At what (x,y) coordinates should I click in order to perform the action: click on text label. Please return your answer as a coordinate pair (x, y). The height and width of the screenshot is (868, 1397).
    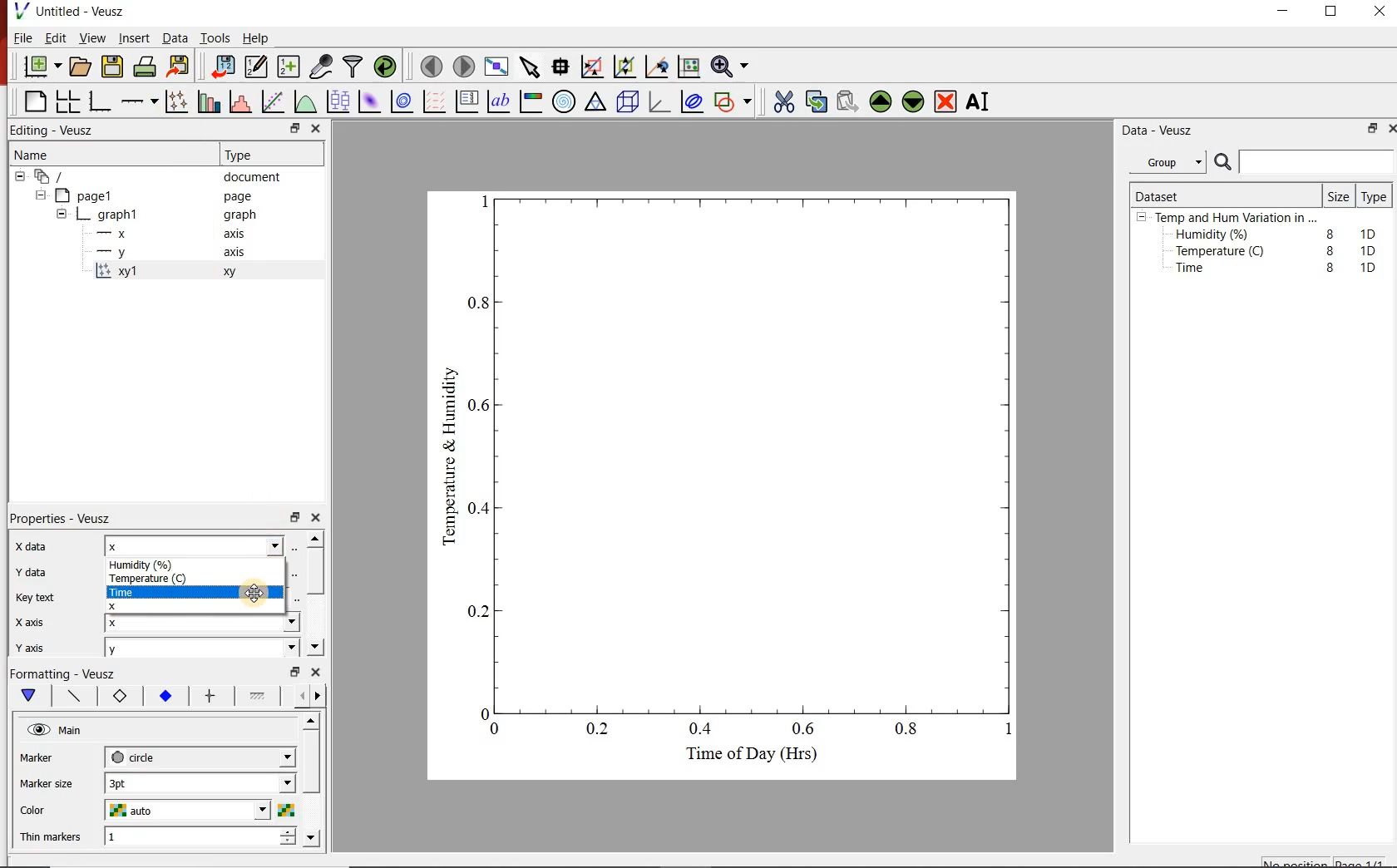
    Looking at the image, I should click on (502, 101).